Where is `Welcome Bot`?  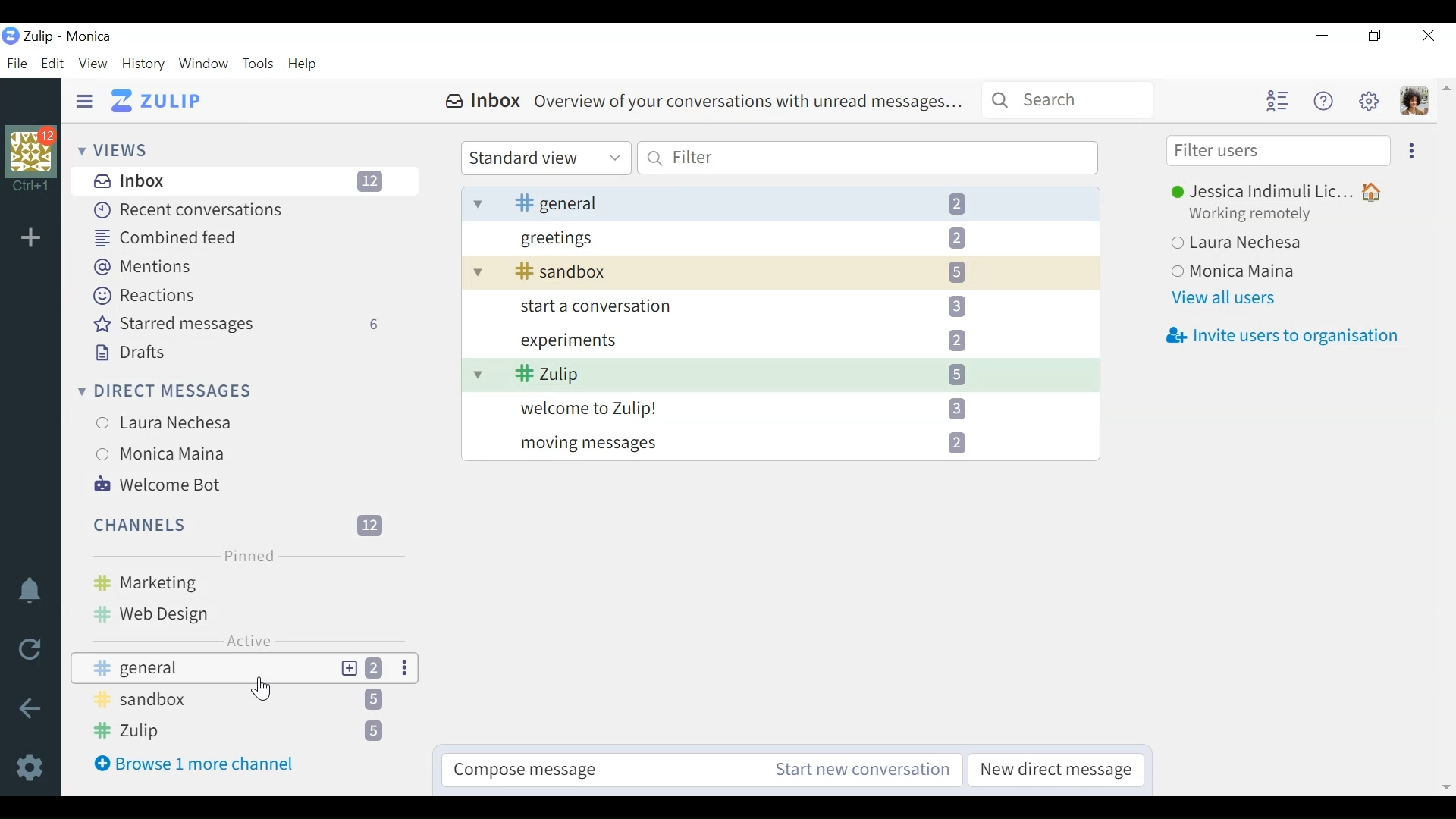
Welcome Bot is located at coordinates (161, 483).